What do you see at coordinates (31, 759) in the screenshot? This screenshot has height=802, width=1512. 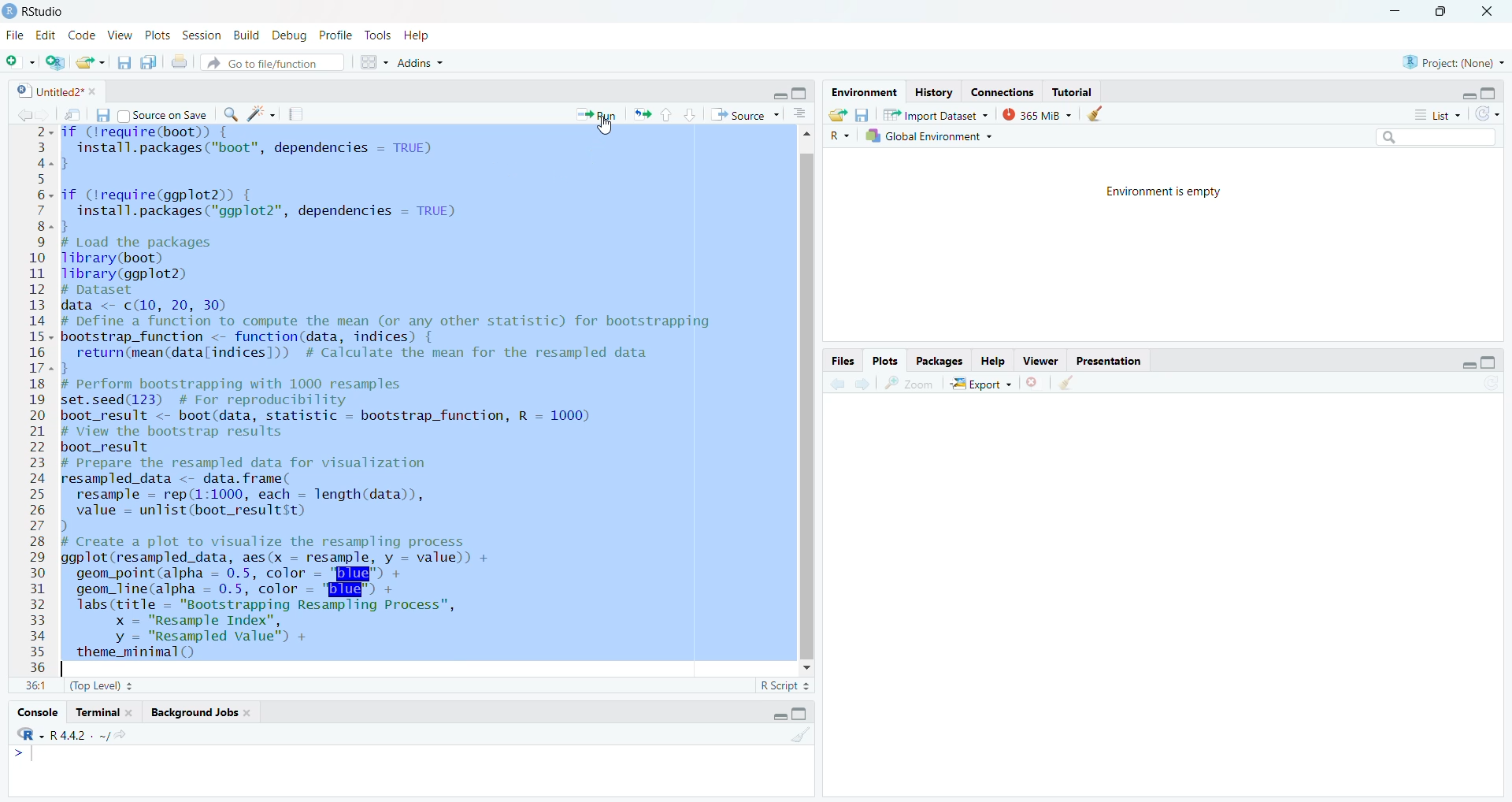 I see `typing cursor` at bounding box center [31, 759].